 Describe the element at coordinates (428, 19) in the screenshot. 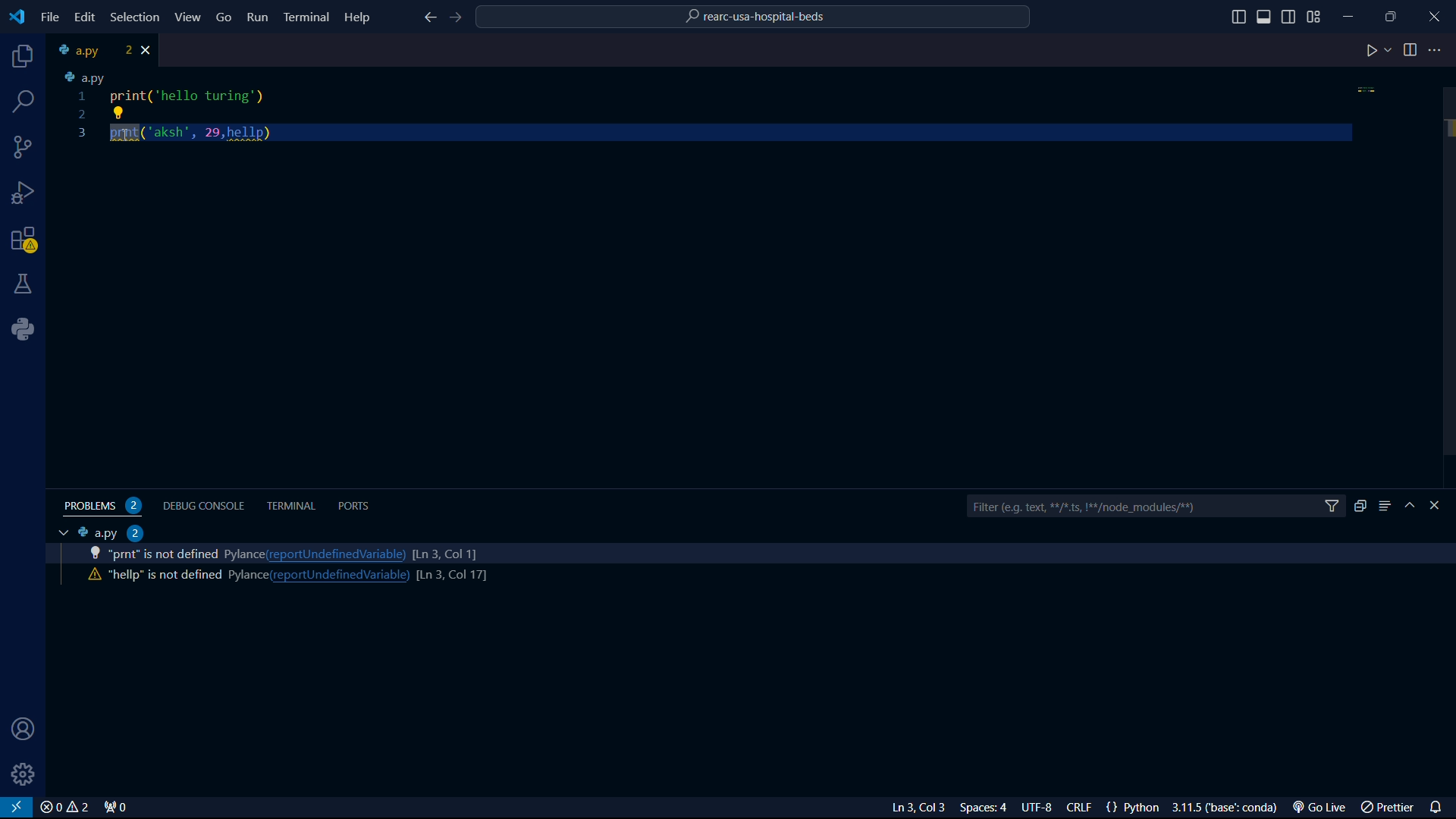

I see `back` at that location.